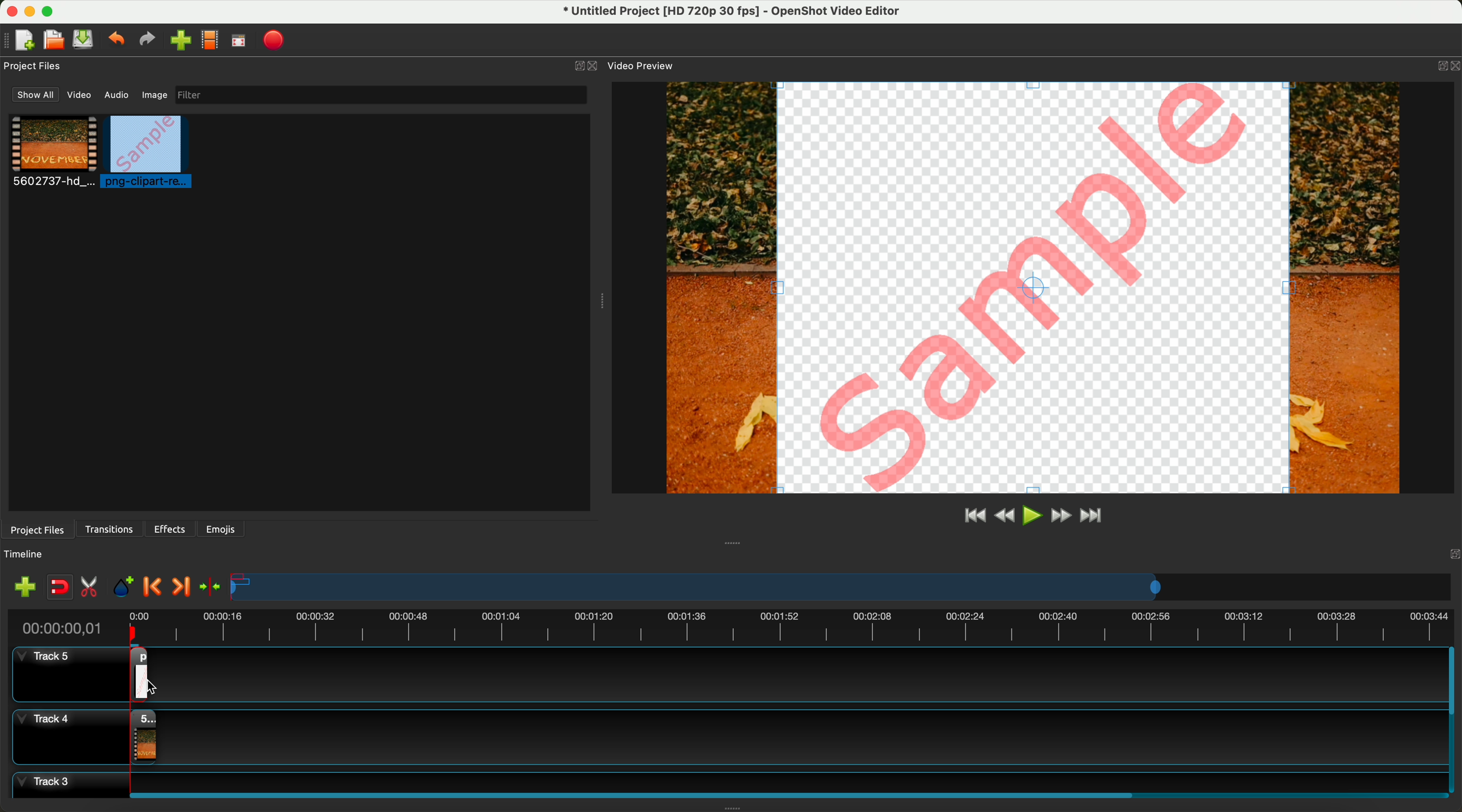 This screenshot has height=812, width=1462. I want to click on close program, so click(9, 10).